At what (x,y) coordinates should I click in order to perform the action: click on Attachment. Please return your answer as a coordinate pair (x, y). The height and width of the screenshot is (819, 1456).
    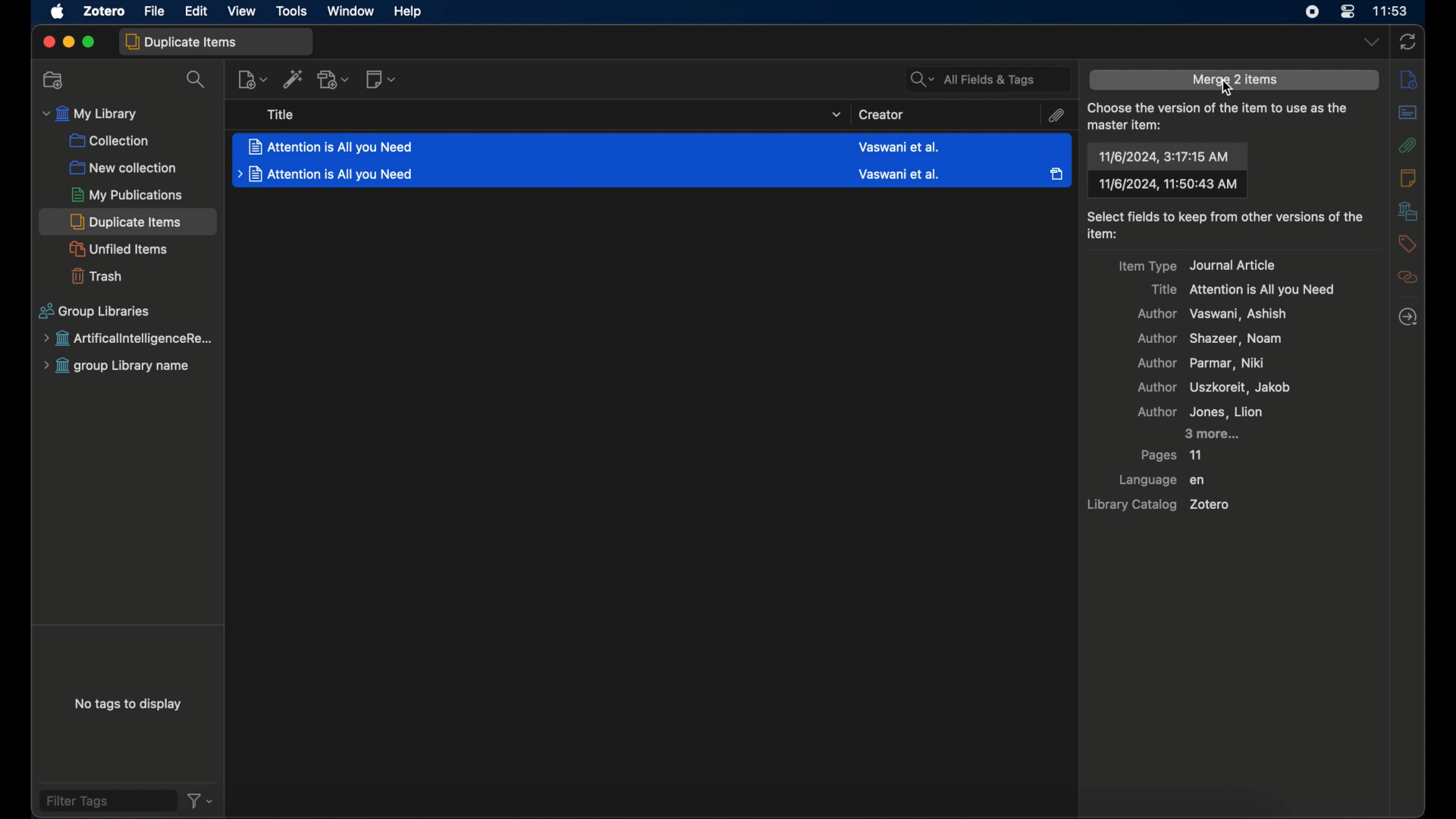
    Looking at the image, I should click on (1057, 174).